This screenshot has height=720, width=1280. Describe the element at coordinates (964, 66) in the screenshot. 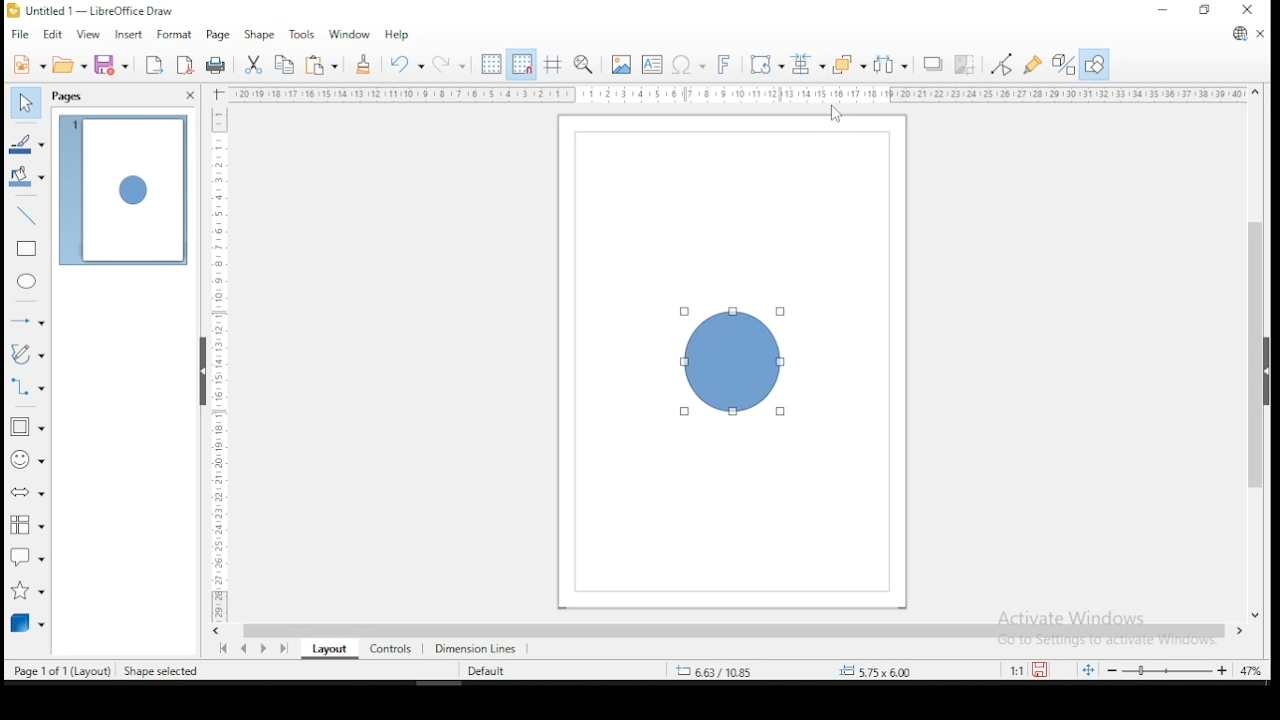

I see `crop` at that location.